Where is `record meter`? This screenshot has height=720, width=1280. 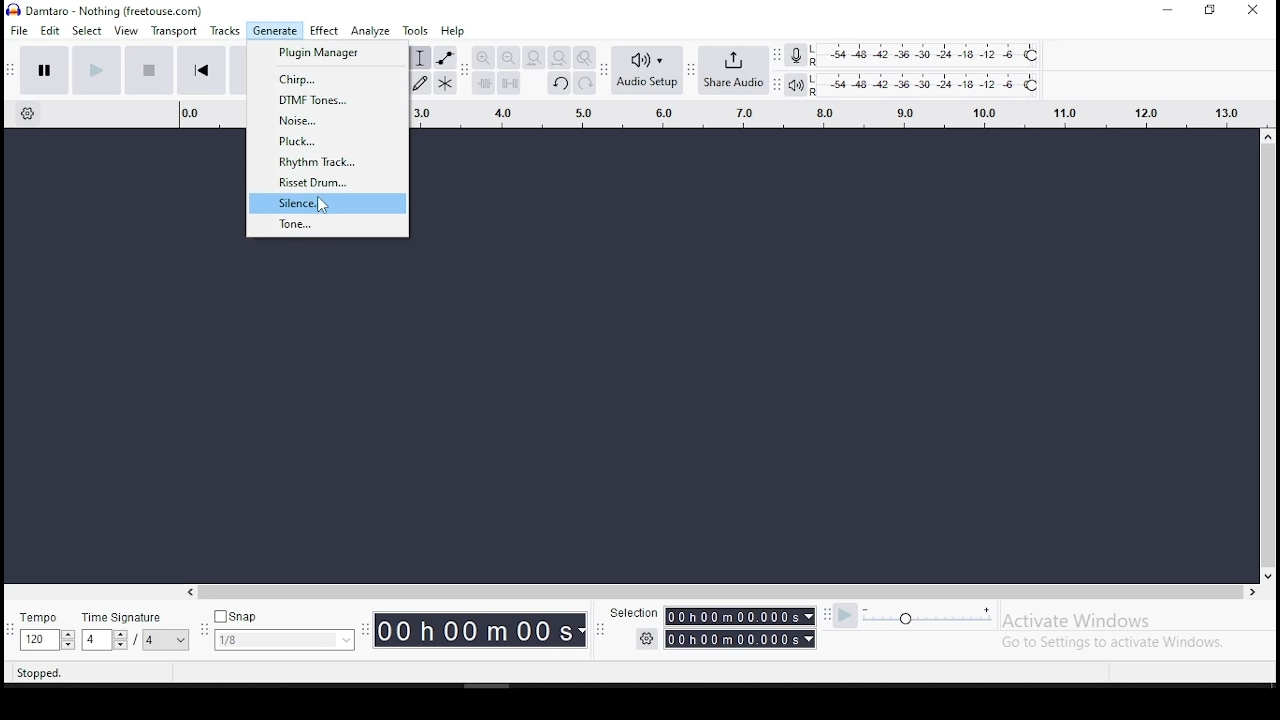
record meter is located at coordinates (796, 56).